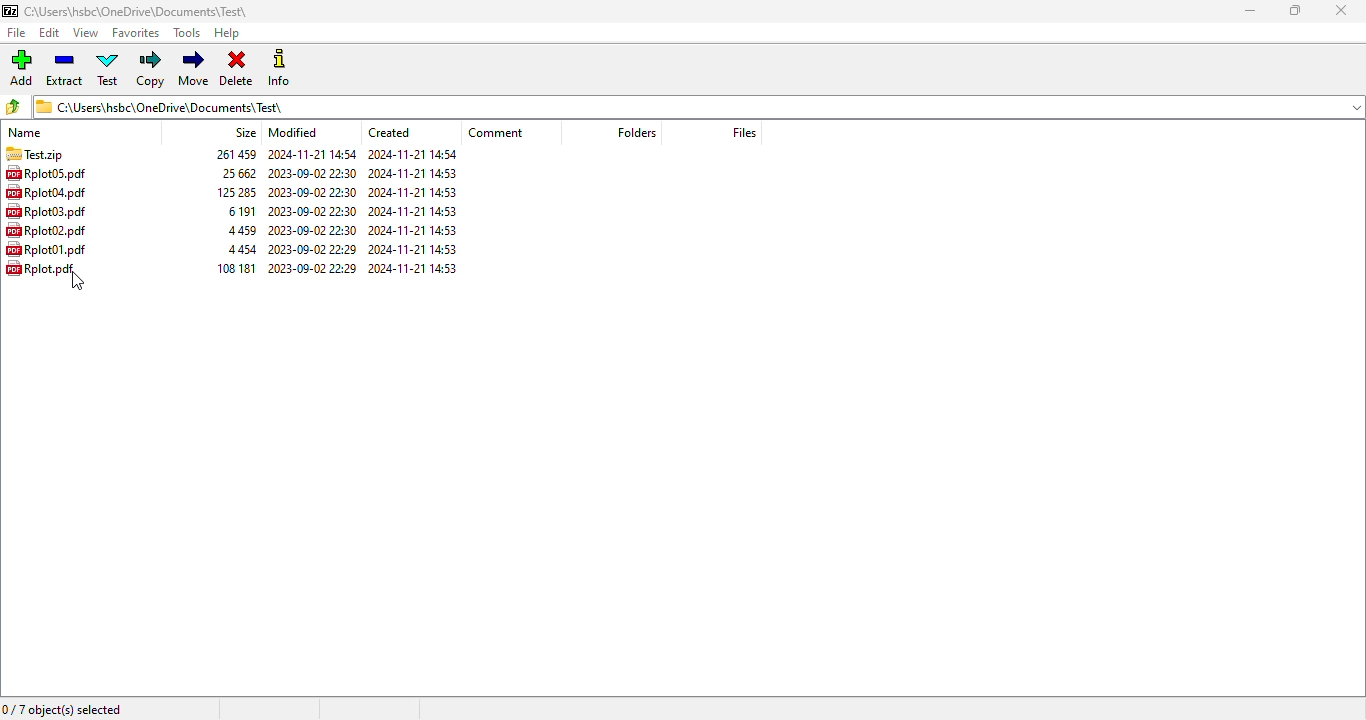 This screenshot has height=720, width=1366. Describe the element at coordinates (413, 191) in the screenshot. I see ` 2024-11-21 14:53` at that location.